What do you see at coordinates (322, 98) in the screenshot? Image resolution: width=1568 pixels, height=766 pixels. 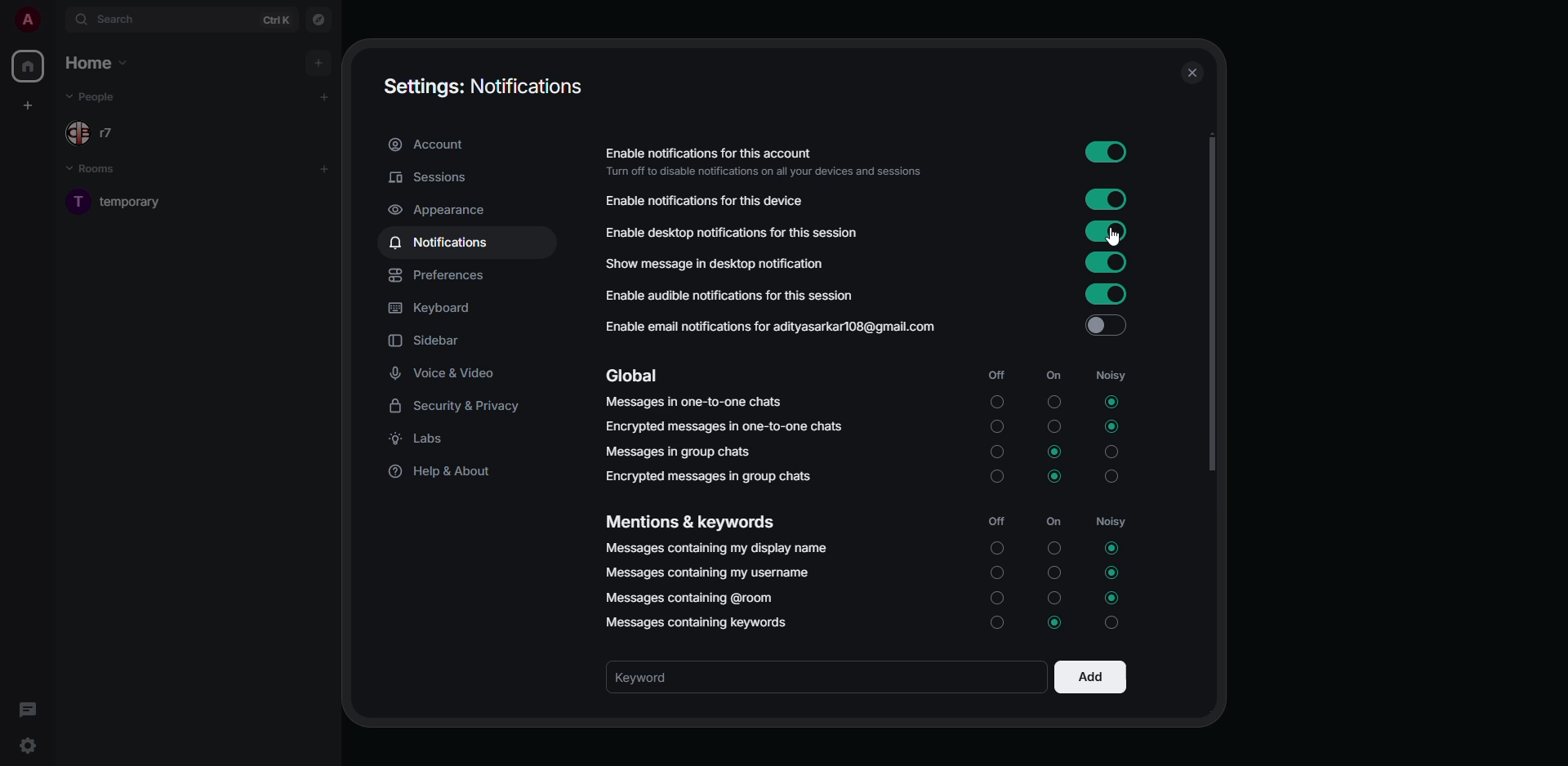 I see `add` at bounding box center [322, 98].